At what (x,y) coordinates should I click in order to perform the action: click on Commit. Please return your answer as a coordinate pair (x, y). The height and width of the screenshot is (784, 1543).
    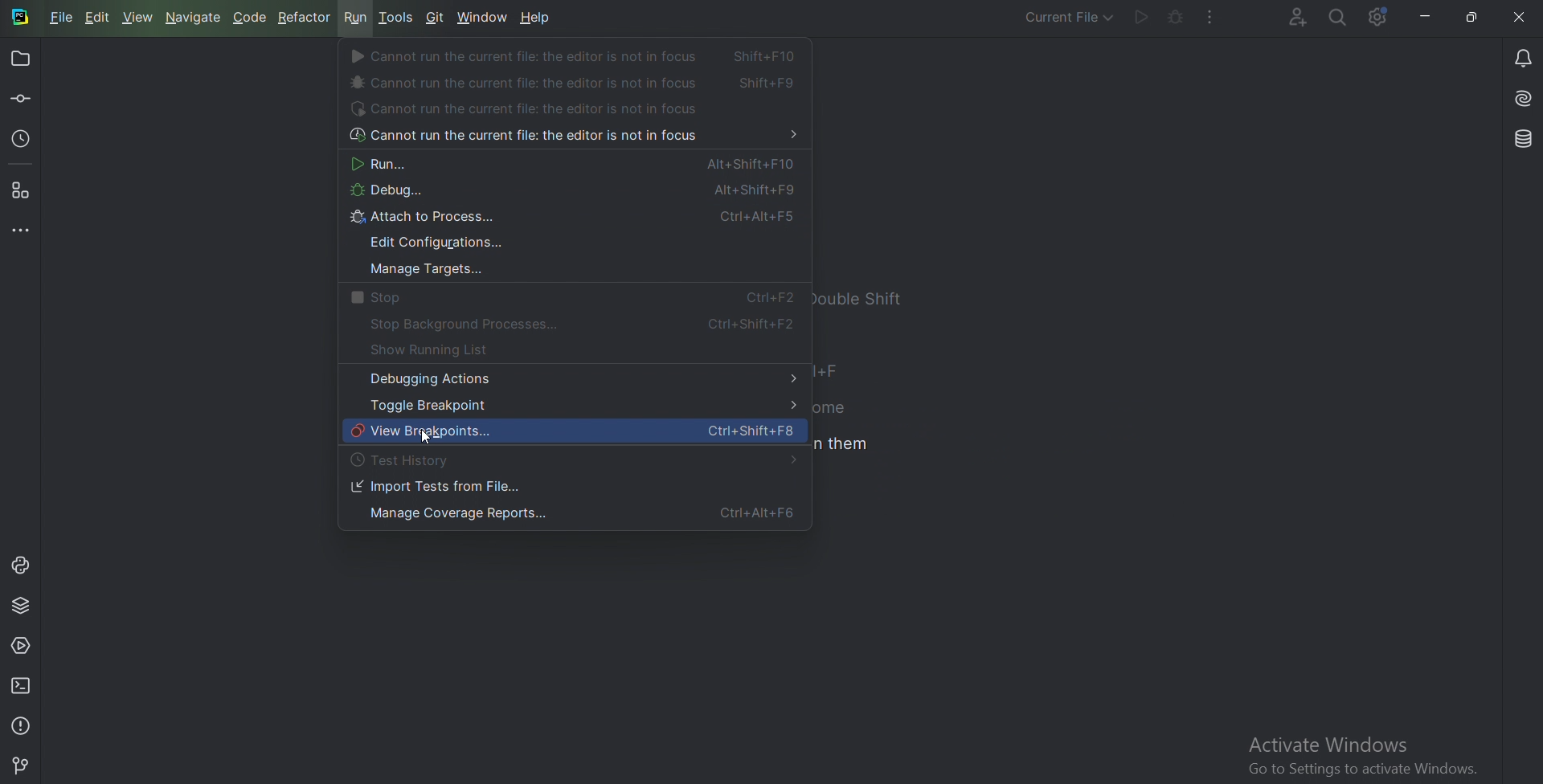
    Looking at the image, I should click on (22, 100).